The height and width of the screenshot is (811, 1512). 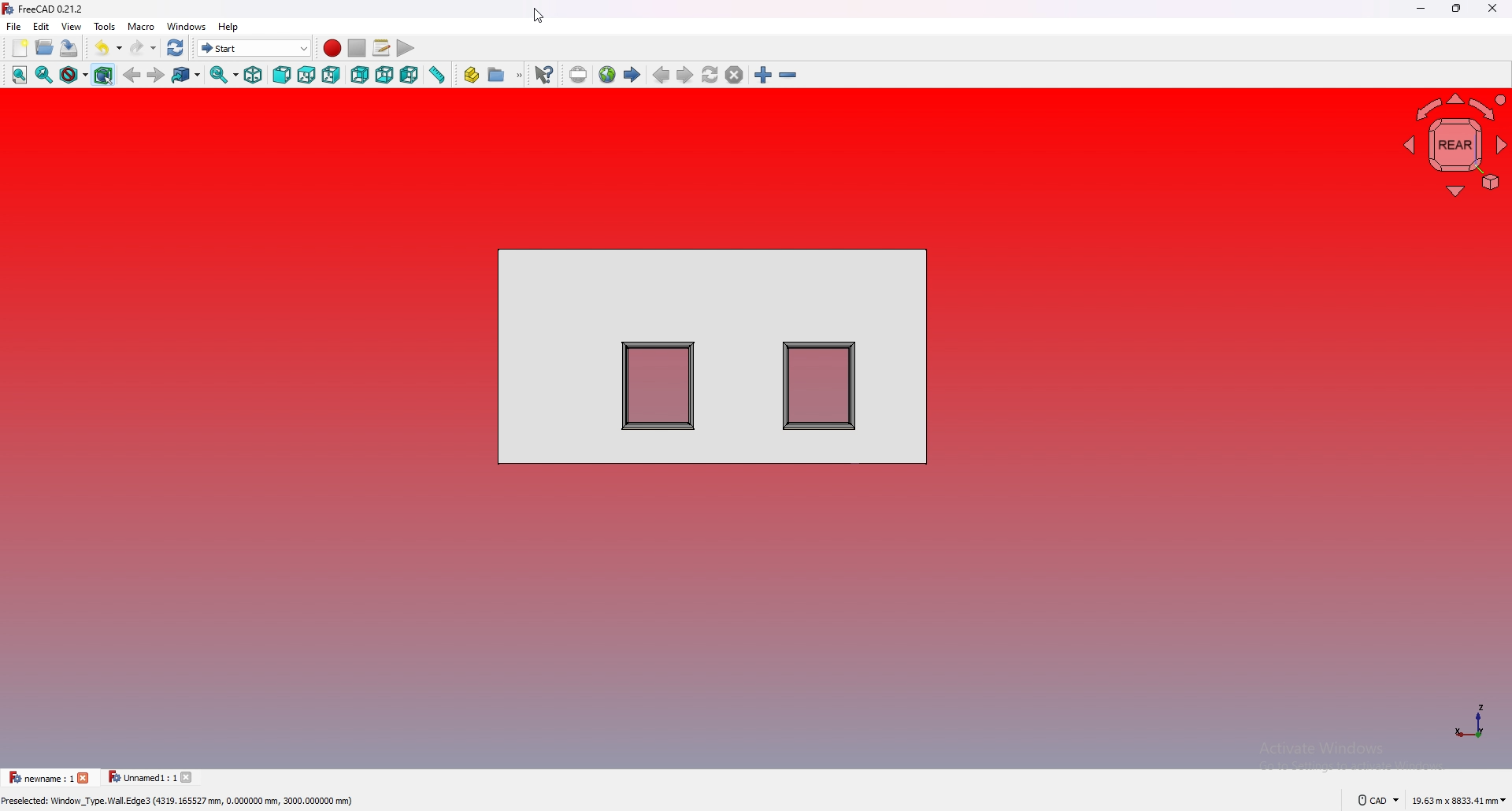 I want to click on what's that, so click(x=543, y=75).